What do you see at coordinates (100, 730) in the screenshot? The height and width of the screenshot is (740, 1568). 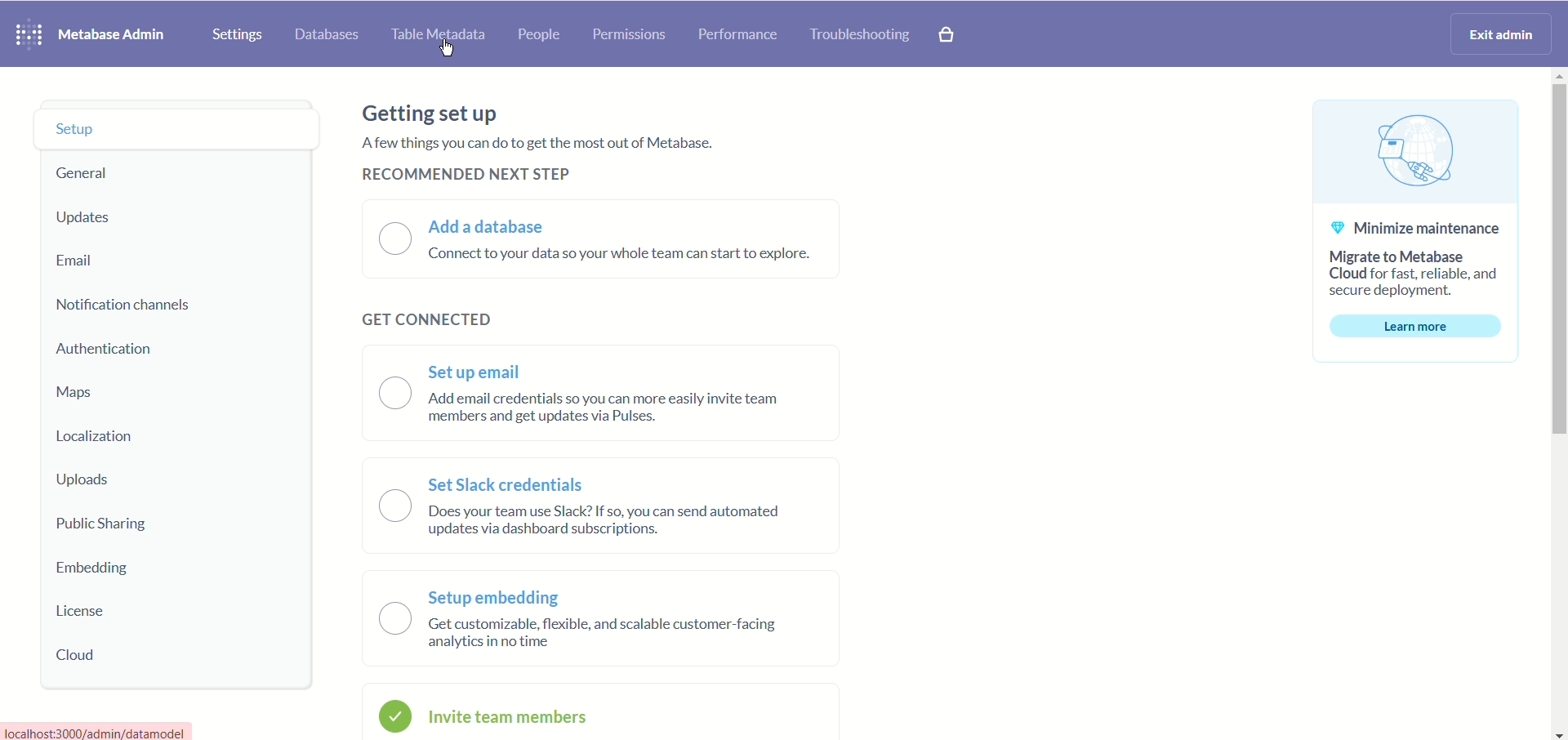 I see `Url` at bounding box center [100, 730].